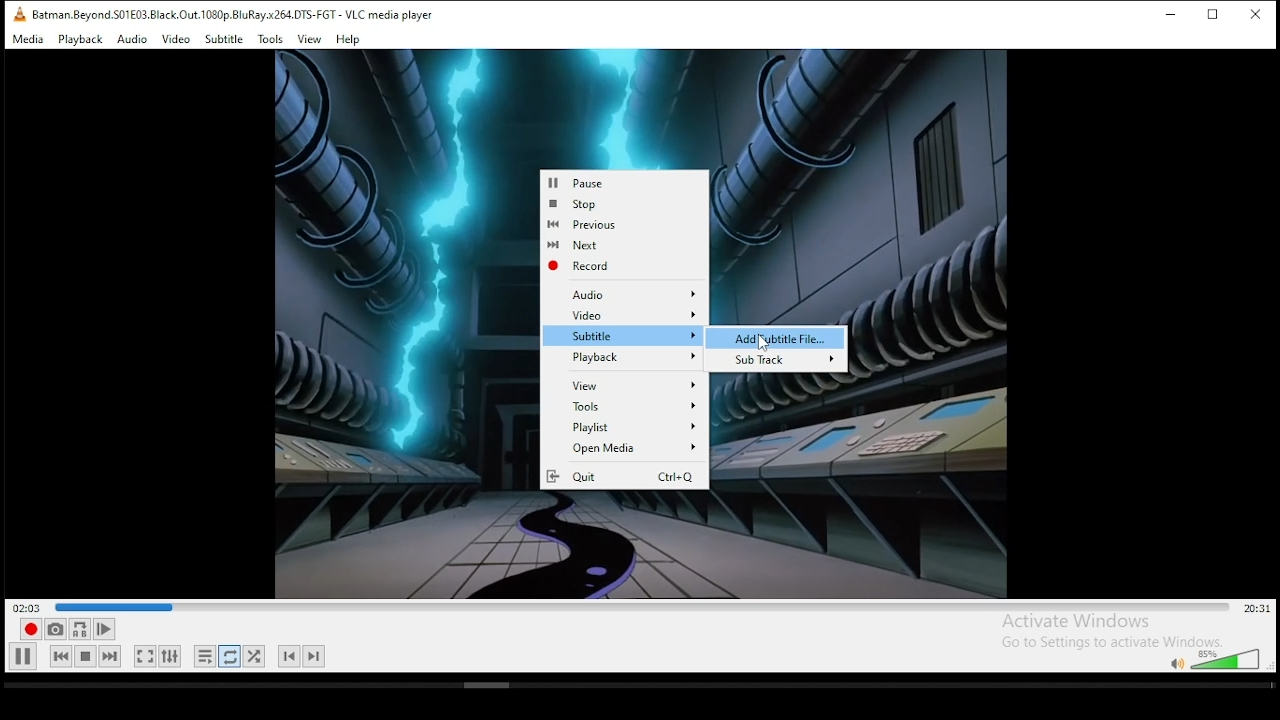 The width and height of the screenshot is (1280, 720). Describe the element at coordinates (176, 39) in the screenshot. I see `video` at that location.